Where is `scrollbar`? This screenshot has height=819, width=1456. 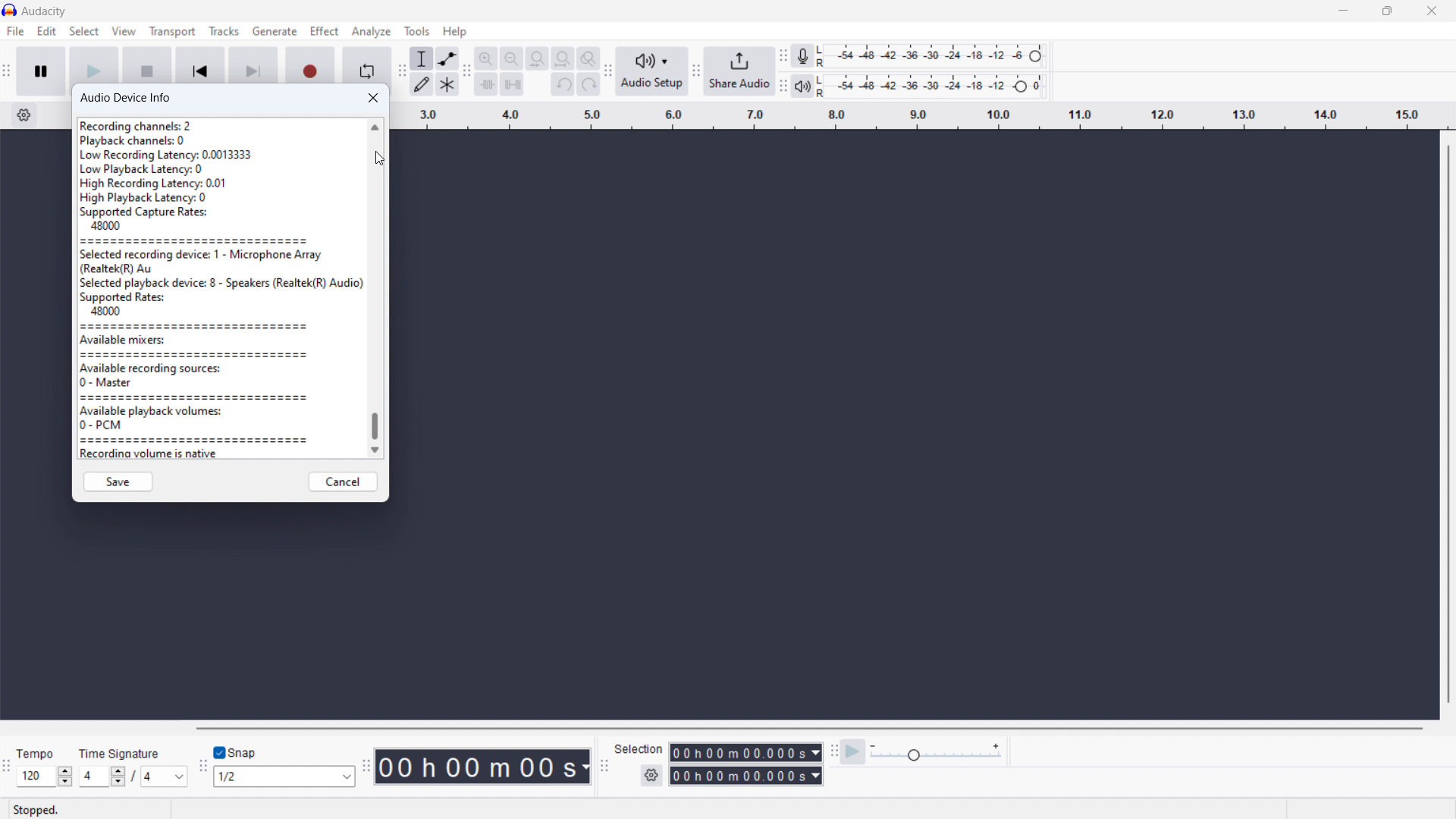 scrollbar is located at coordinates (375, 428).